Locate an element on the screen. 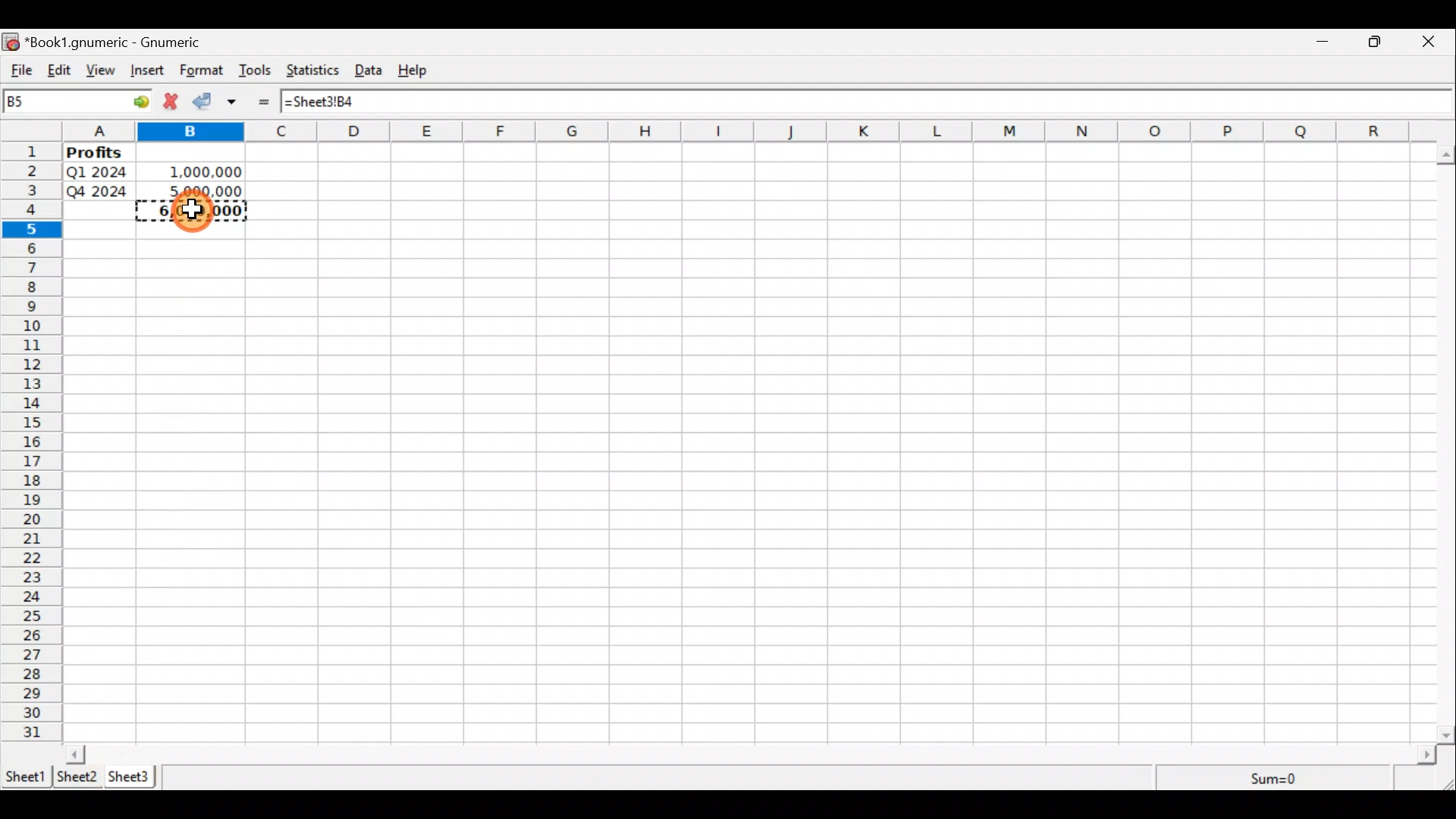  Profits is located at coordinates (99, 154).